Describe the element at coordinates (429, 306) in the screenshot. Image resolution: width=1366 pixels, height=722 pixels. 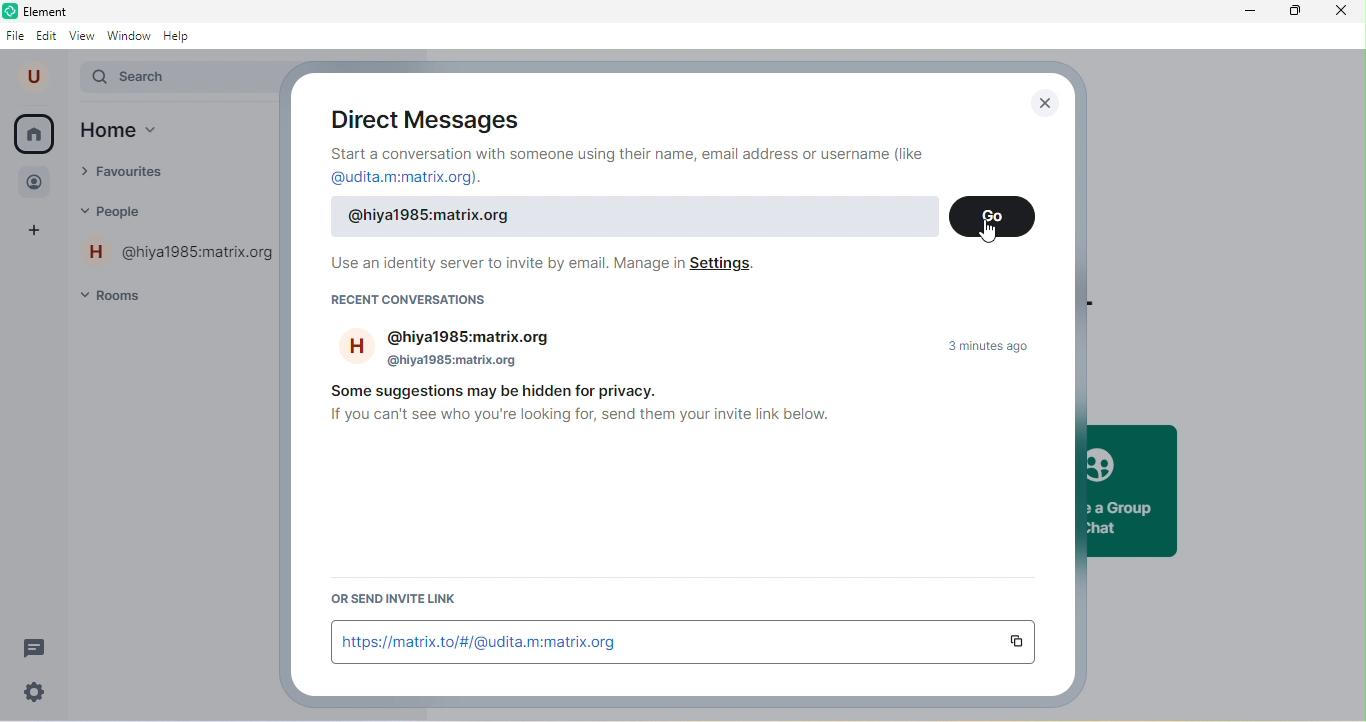
I see `recent conversations` at that location.